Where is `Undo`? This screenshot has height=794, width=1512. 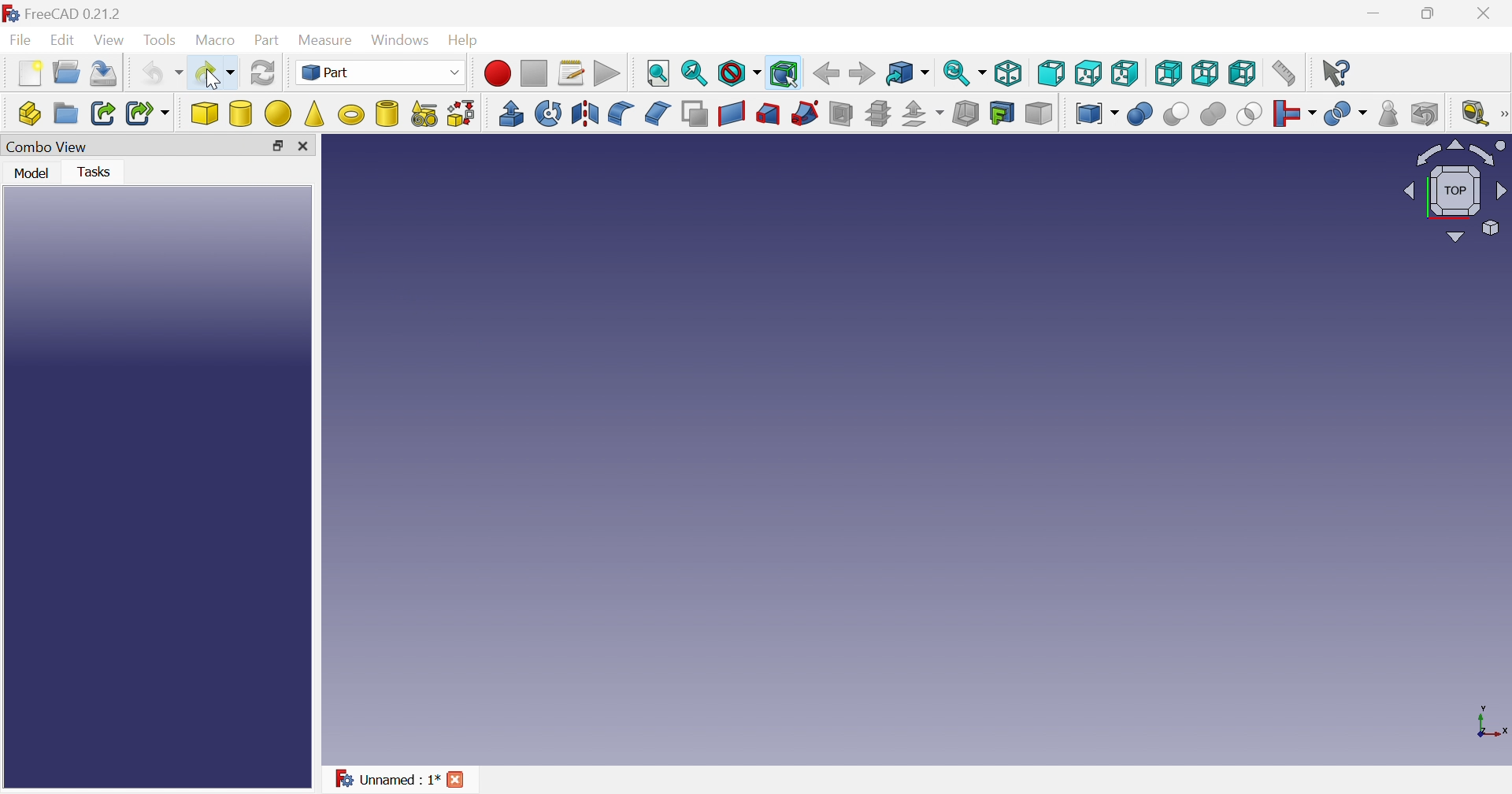 Undo is located at coordinates (161, 73).